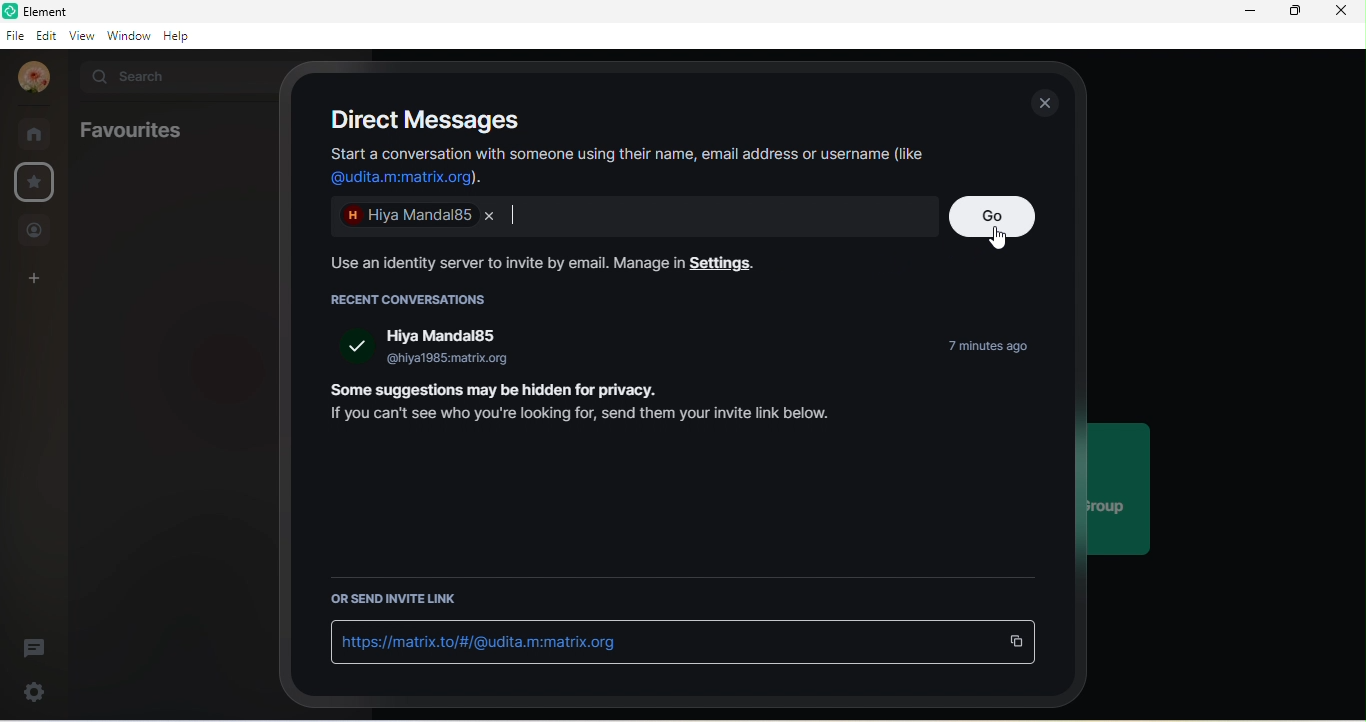 This screenshot has width=1366, height=722. Describe the element at coordinates (1344, 11) in the screenshot. I see `close` at that location.